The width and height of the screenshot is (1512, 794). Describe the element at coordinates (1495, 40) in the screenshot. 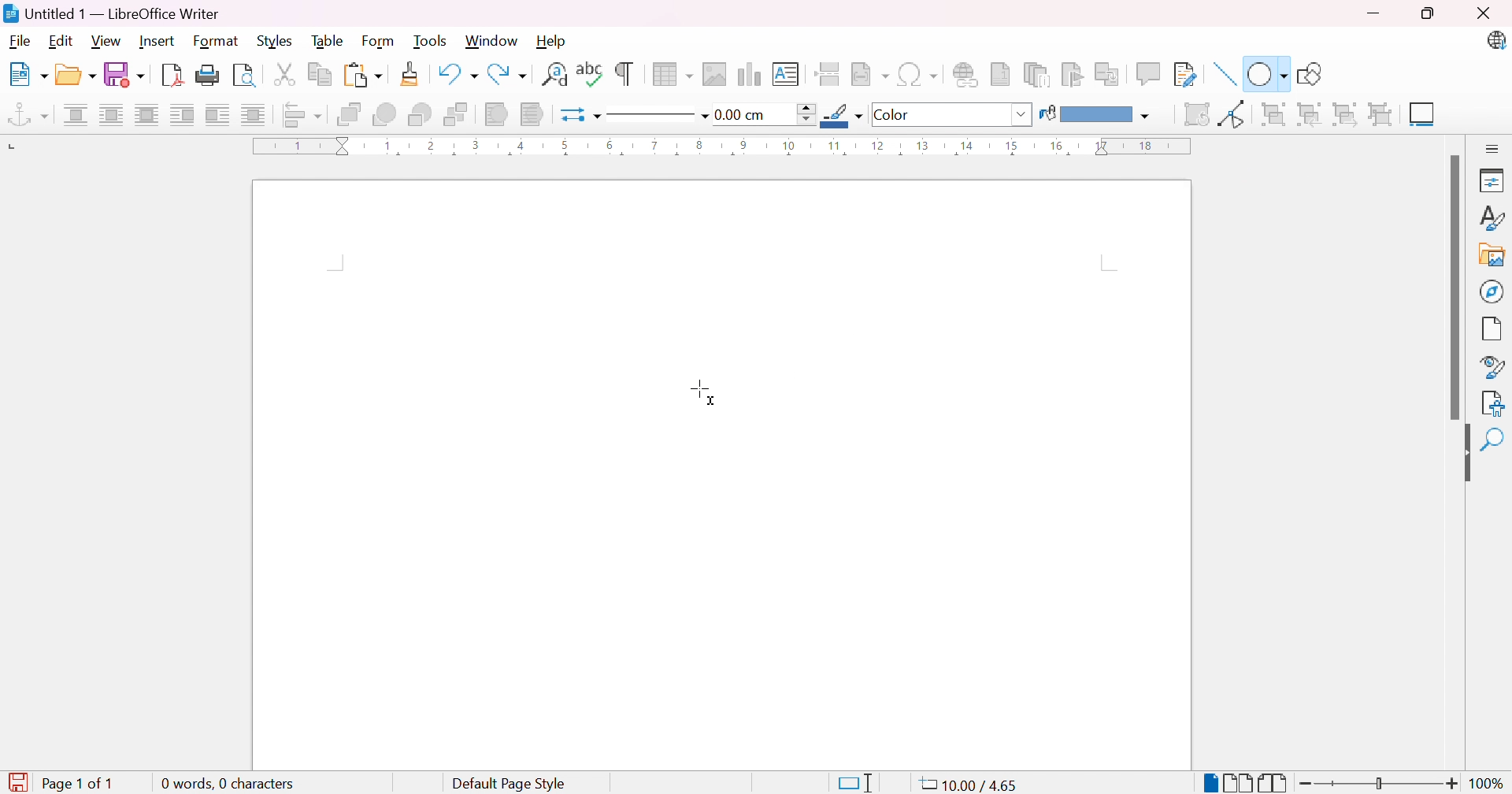

I see `LibreOffice update available` at that location.